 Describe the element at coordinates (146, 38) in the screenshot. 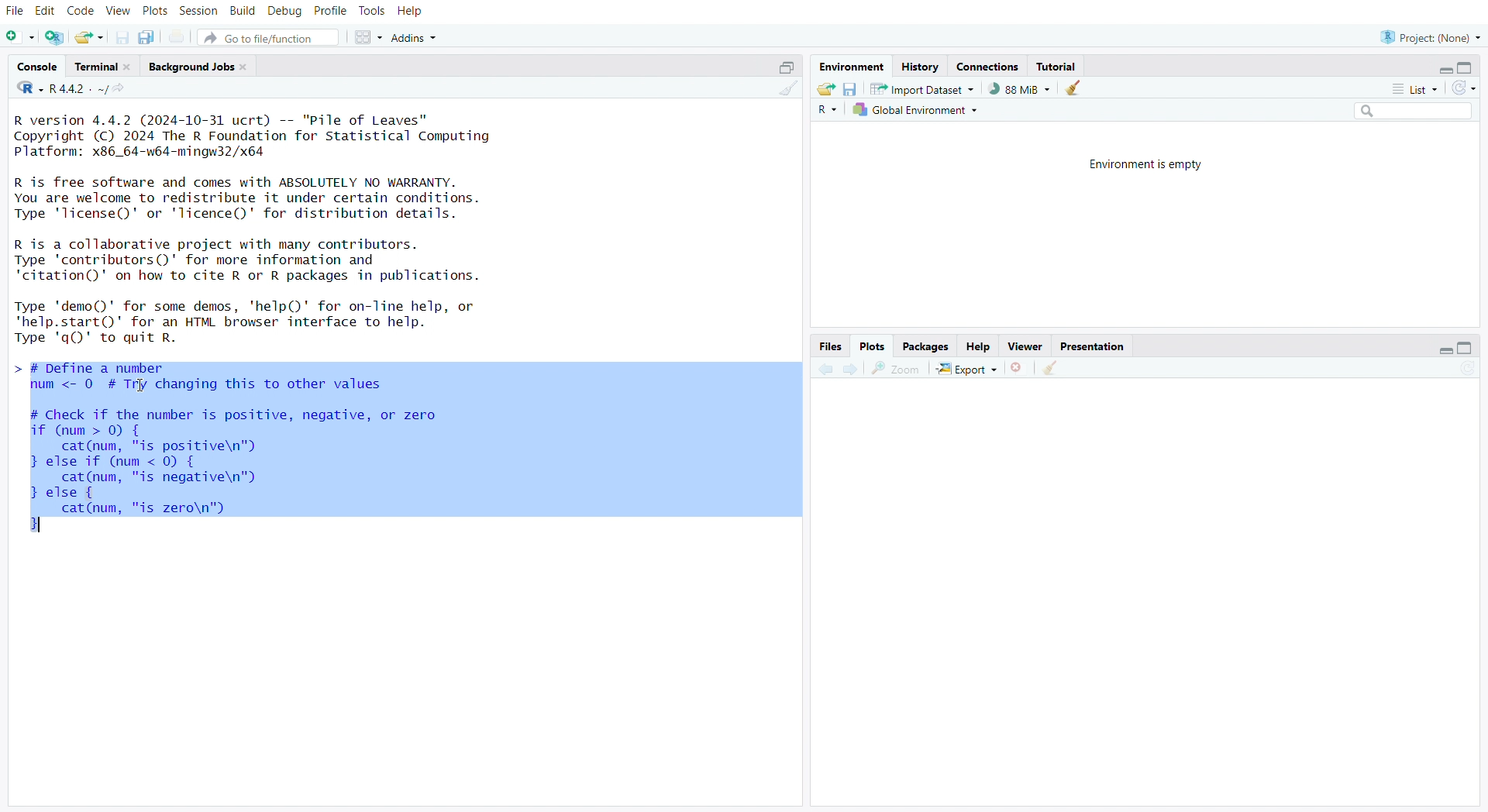

I see `save all open document` at that location.